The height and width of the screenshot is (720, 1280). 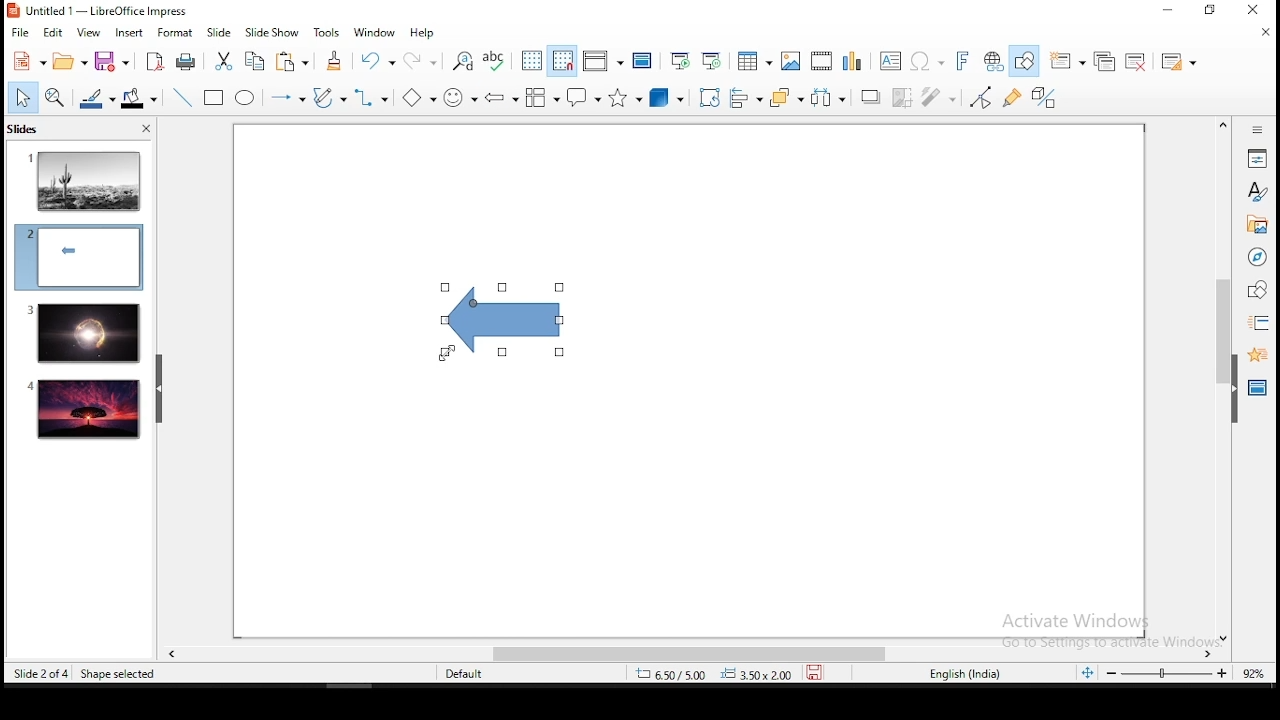 I want to click on default, so click(x=466, y=673).